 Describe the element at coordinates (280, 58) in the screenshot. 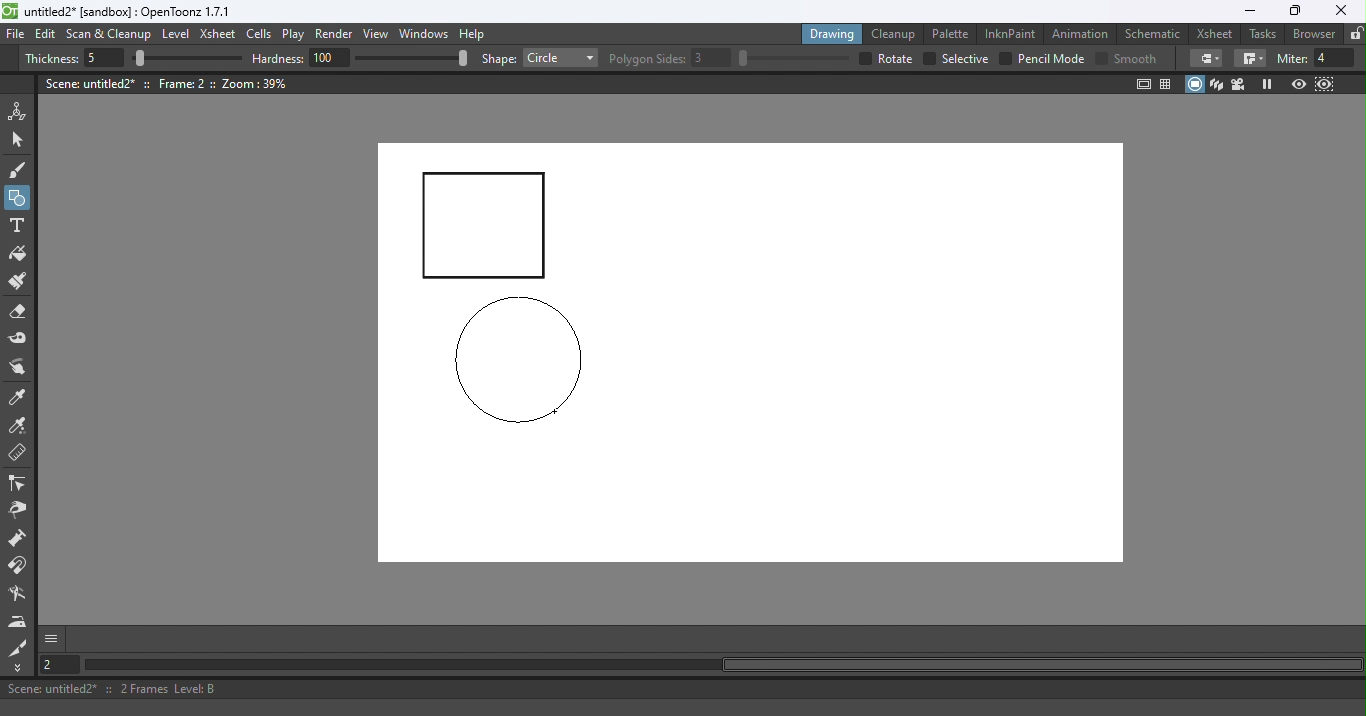

I see `hardness` at that location.